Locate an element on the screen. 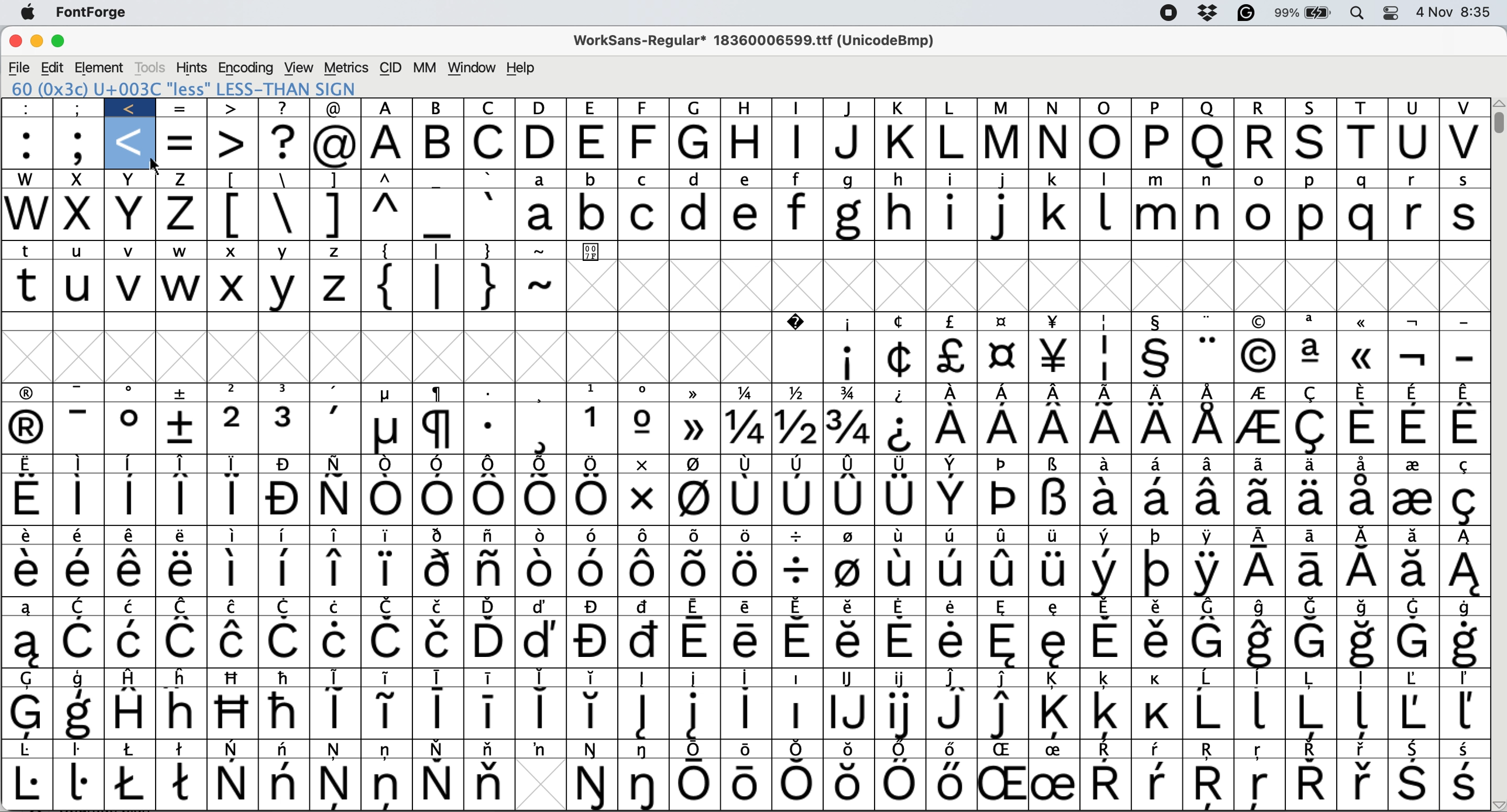 Image resolution: width=1507 pixels, height=812 pixels. Symbol is located at coordinates (387, 787).